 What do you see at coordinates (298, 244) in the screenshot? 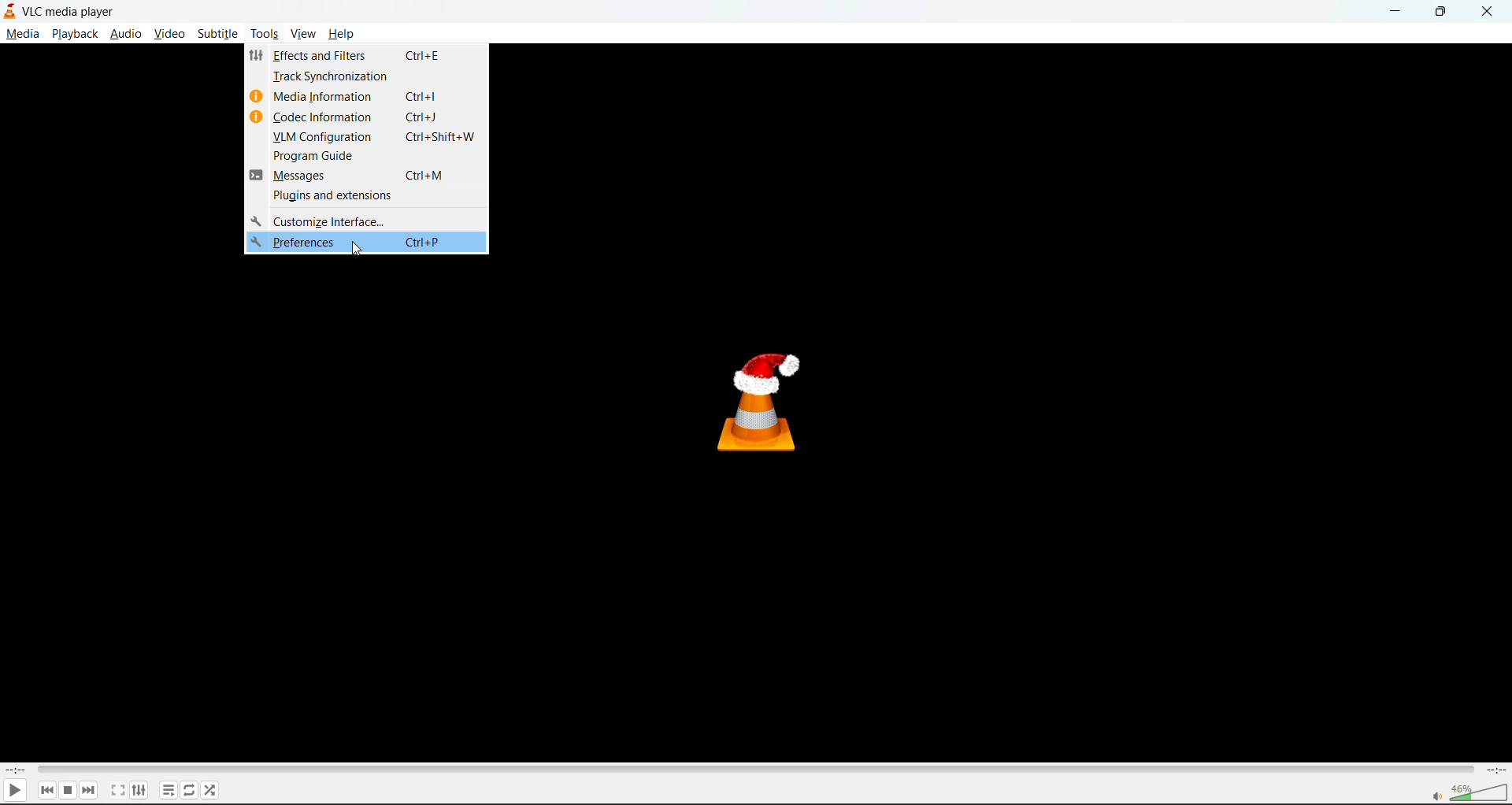
I see `preferences` at bounding box center [298, 244].